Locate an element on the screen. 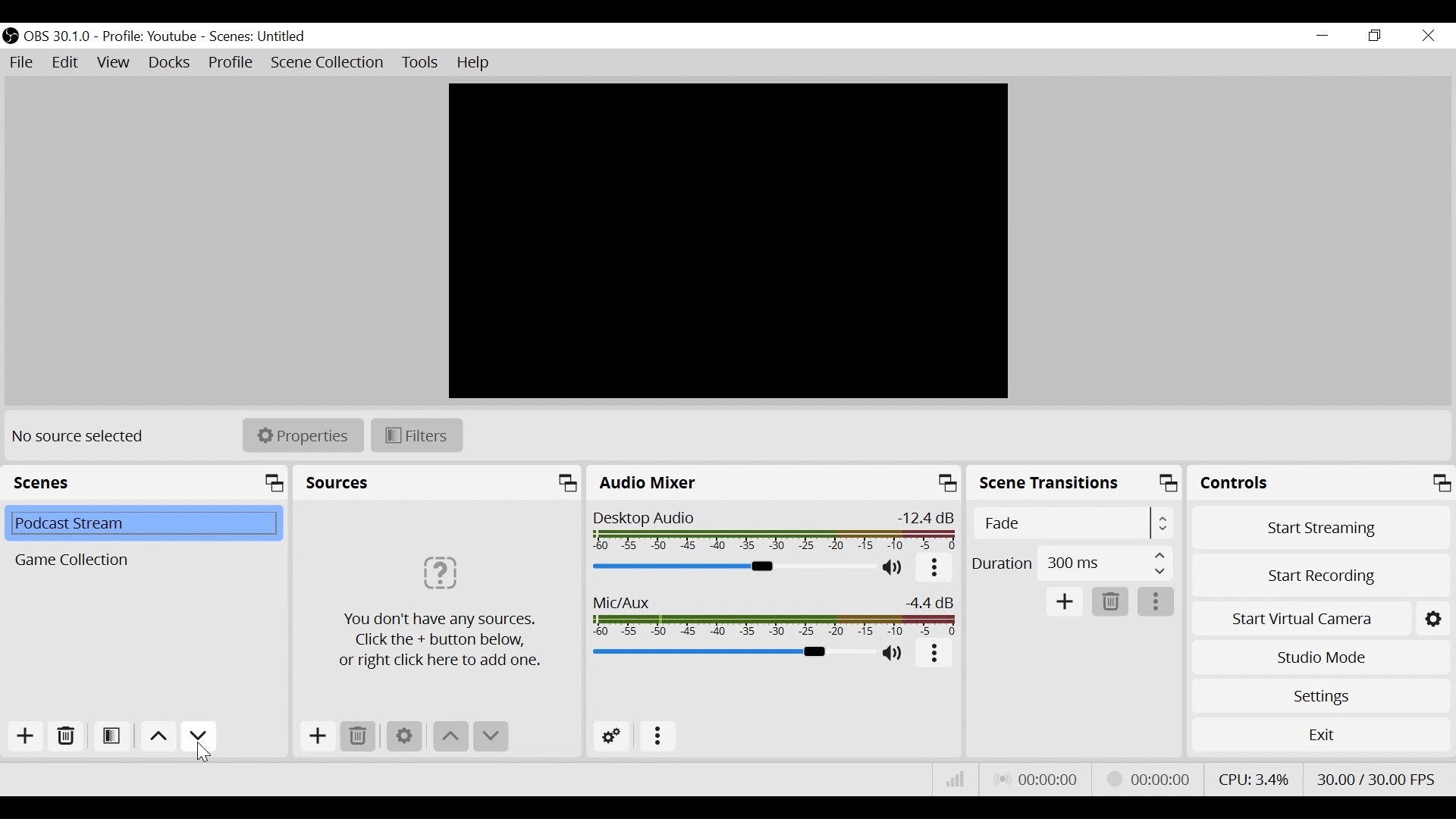  Studio Mode is located at coordinates (1321, 657).